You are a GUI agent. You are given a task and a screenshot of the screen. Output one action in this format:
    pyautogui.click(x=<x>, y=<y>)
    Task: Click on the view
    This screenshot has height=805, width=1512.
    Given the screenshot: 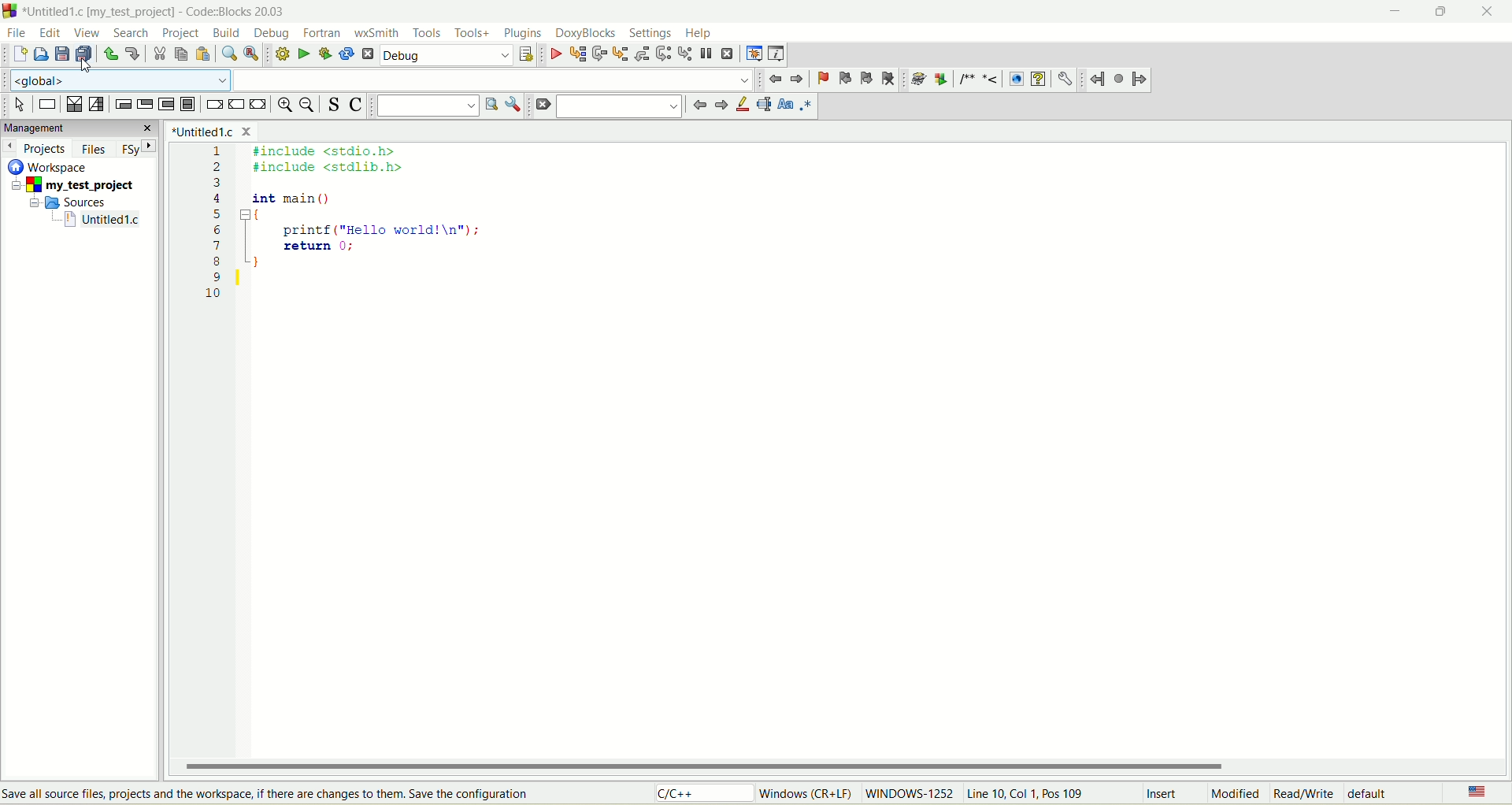 What is the action you would take?
    pyautogui.click(x=87, y=35)
    